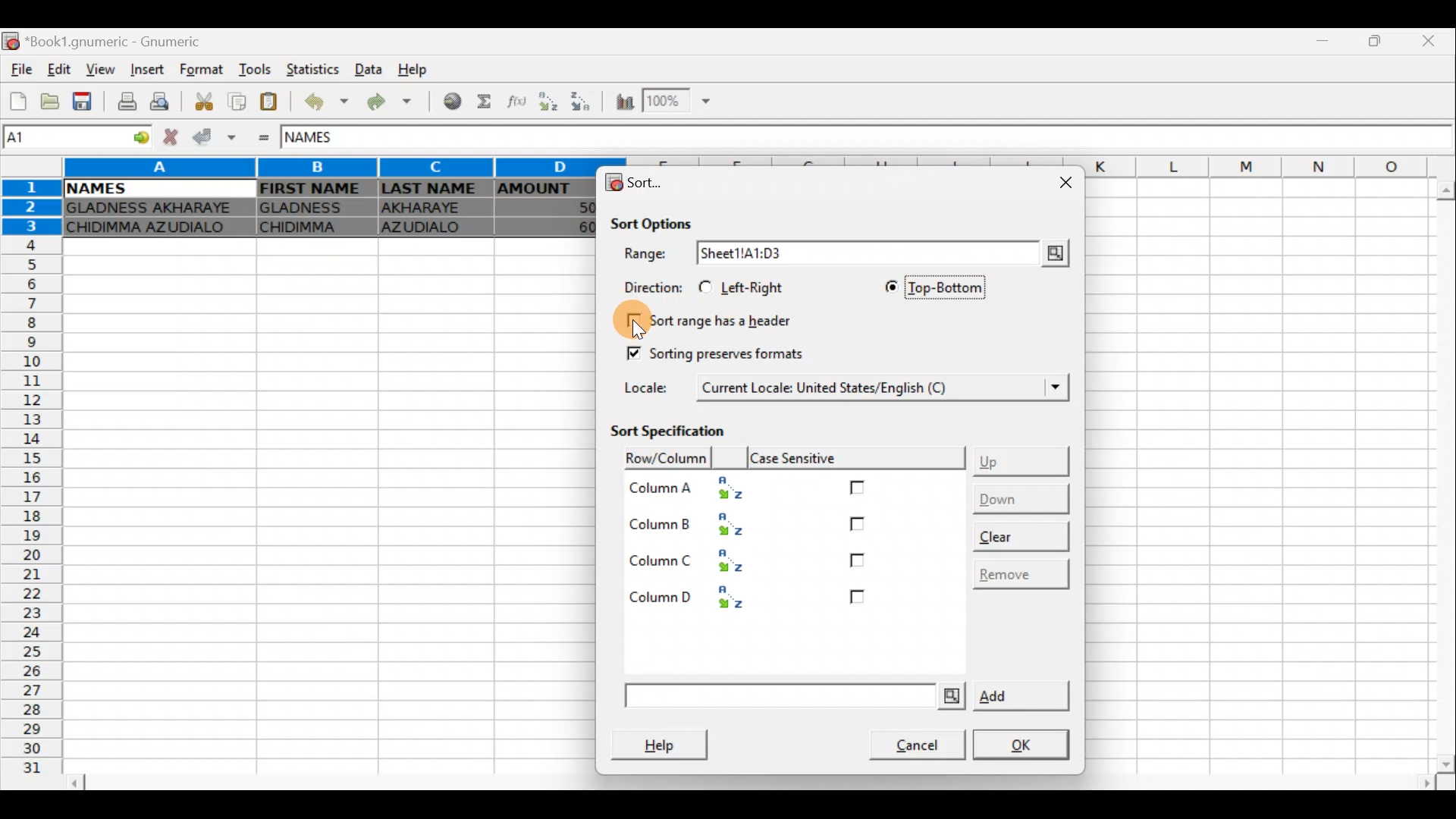 The width and height of the screenshot is (1456, 819). What do you see at coordinates (778, 253) in the screenshot?
I see `Sheet1!A1:D3` at bounding box center [778, 253].